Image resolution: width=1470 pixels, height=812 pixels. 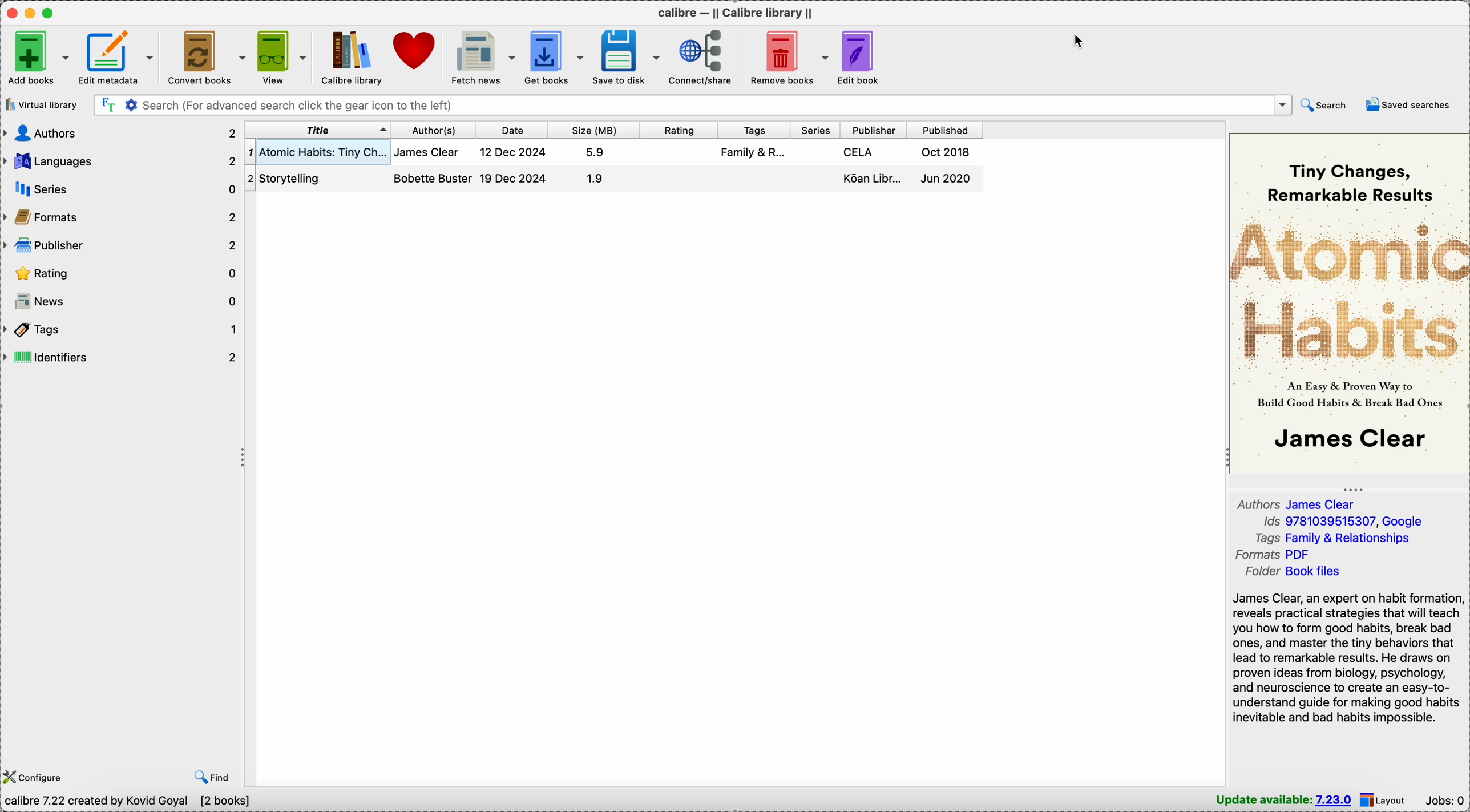 What do you see at coordinates (281, 58) in the screenshot?
I see `view` at bounding box center [281, 58].